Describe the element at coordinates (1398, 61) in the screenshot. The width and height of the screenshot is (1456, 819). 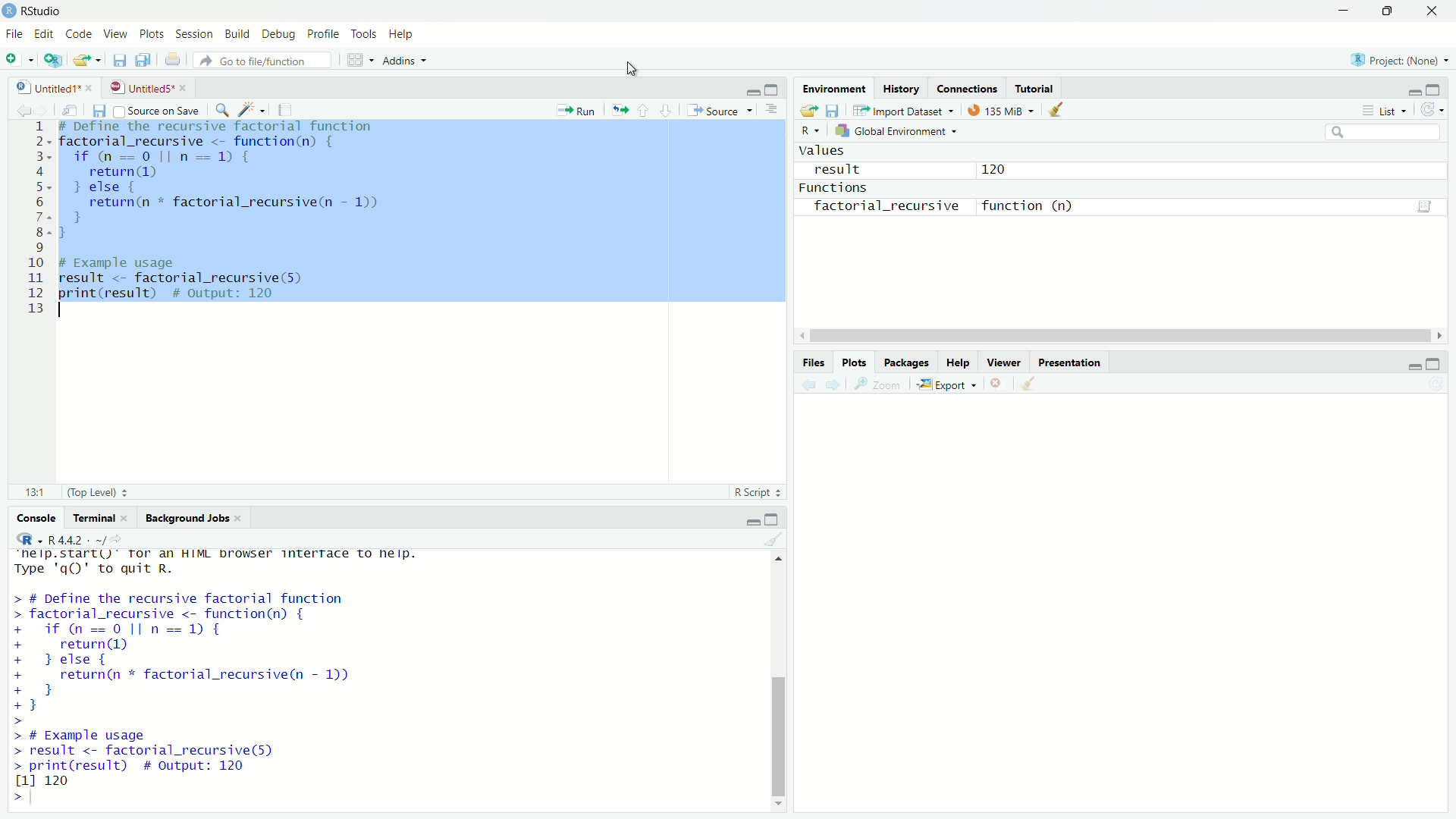
I see `Project (None)` at that location.